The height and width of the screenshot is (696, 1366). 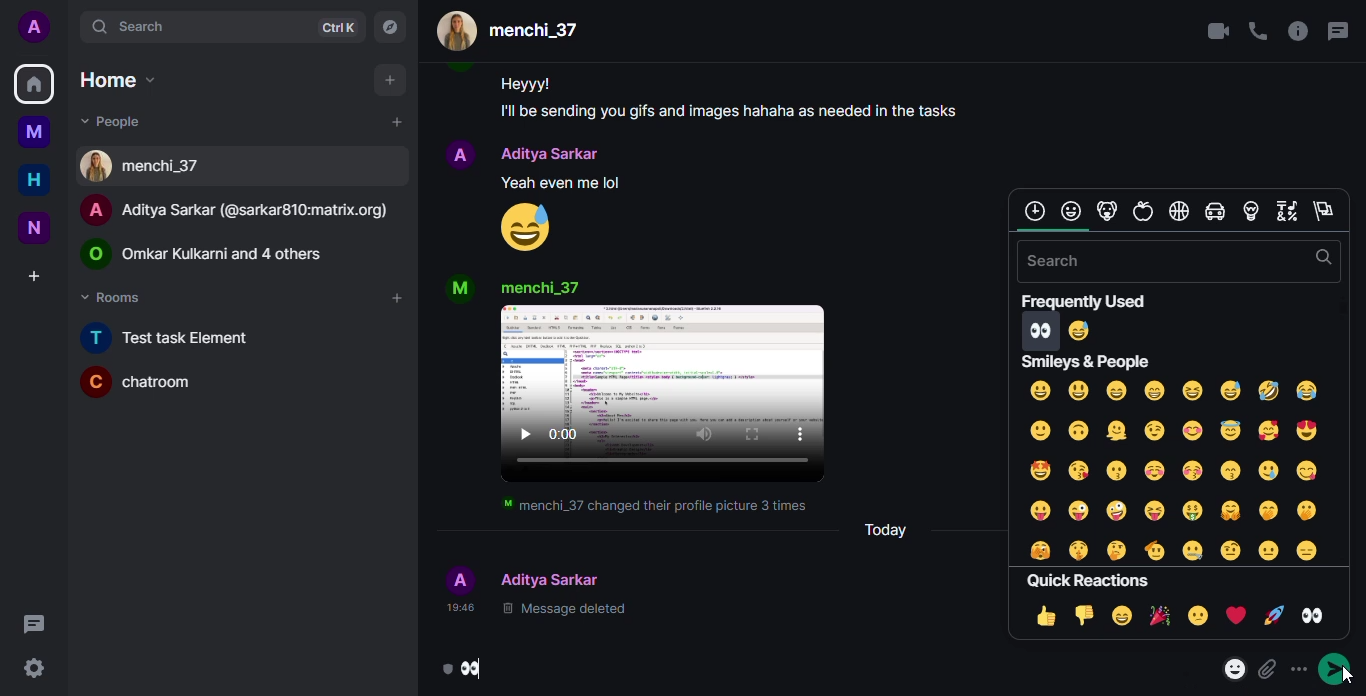 What do you see at coordinates (115, 297) in the screenshot?
I see `rooms drop down` at bounding box center [115, 297].